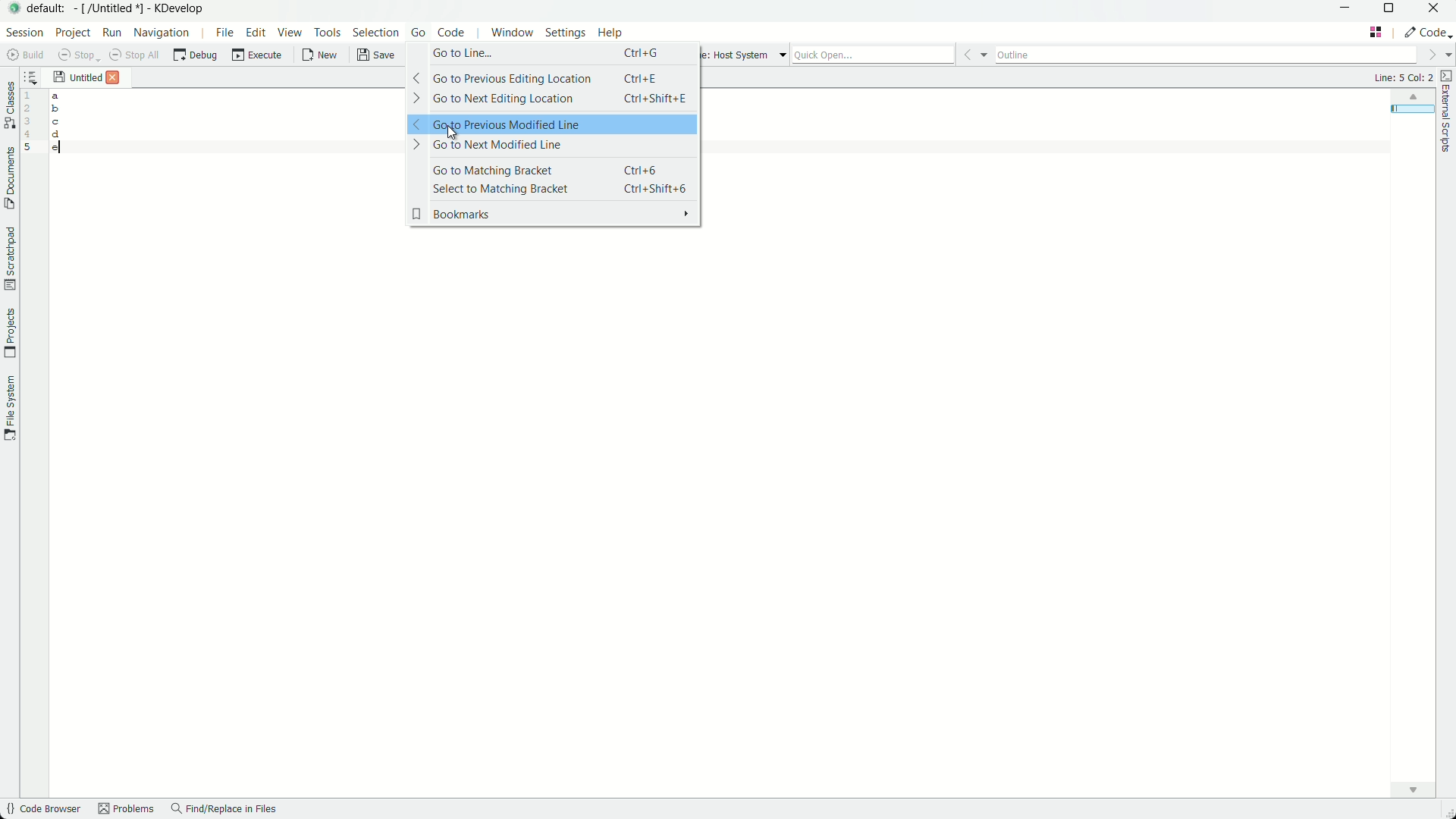 This screenshot has height=819, width=1456. I want to click on code, so click(454, 35).